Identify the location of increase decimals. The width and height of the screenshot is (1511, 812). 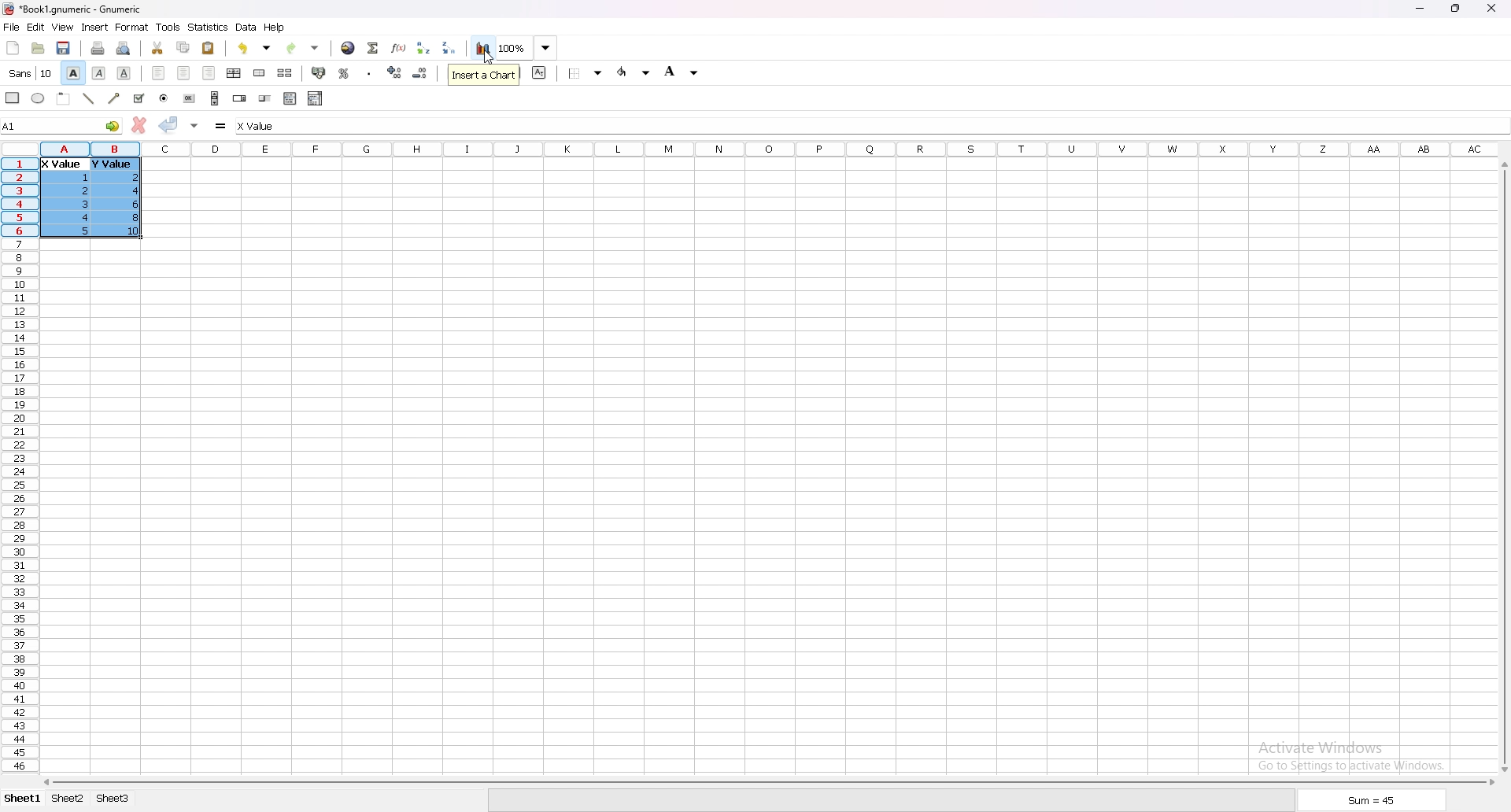
(395, 72).